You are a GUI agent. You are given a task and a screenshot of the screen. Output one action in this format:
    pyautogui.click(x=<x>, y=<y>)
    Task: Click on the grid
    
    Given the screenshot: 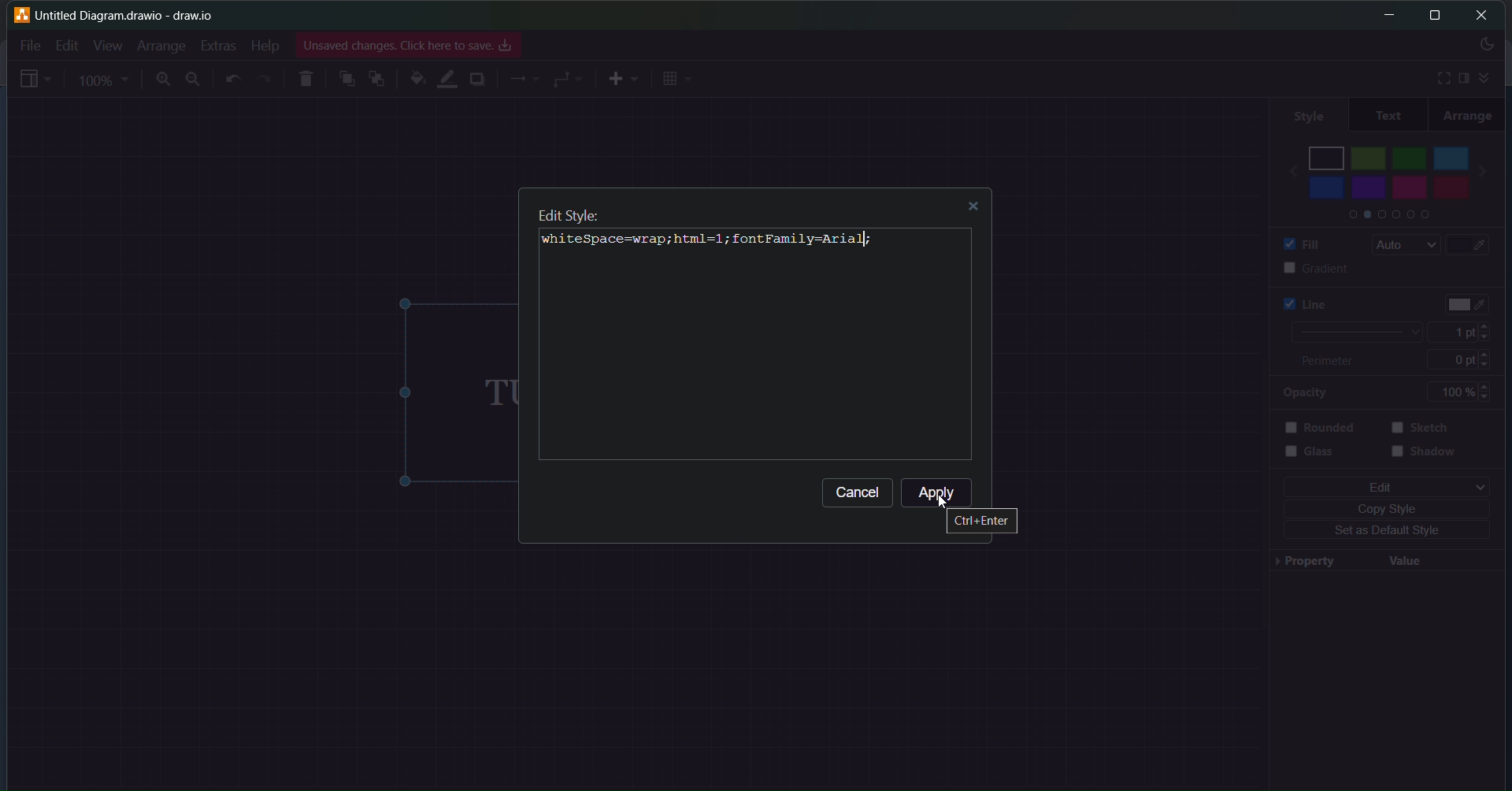 What is the action you would take?
    pyautogui.click(x=679, y=79)
    